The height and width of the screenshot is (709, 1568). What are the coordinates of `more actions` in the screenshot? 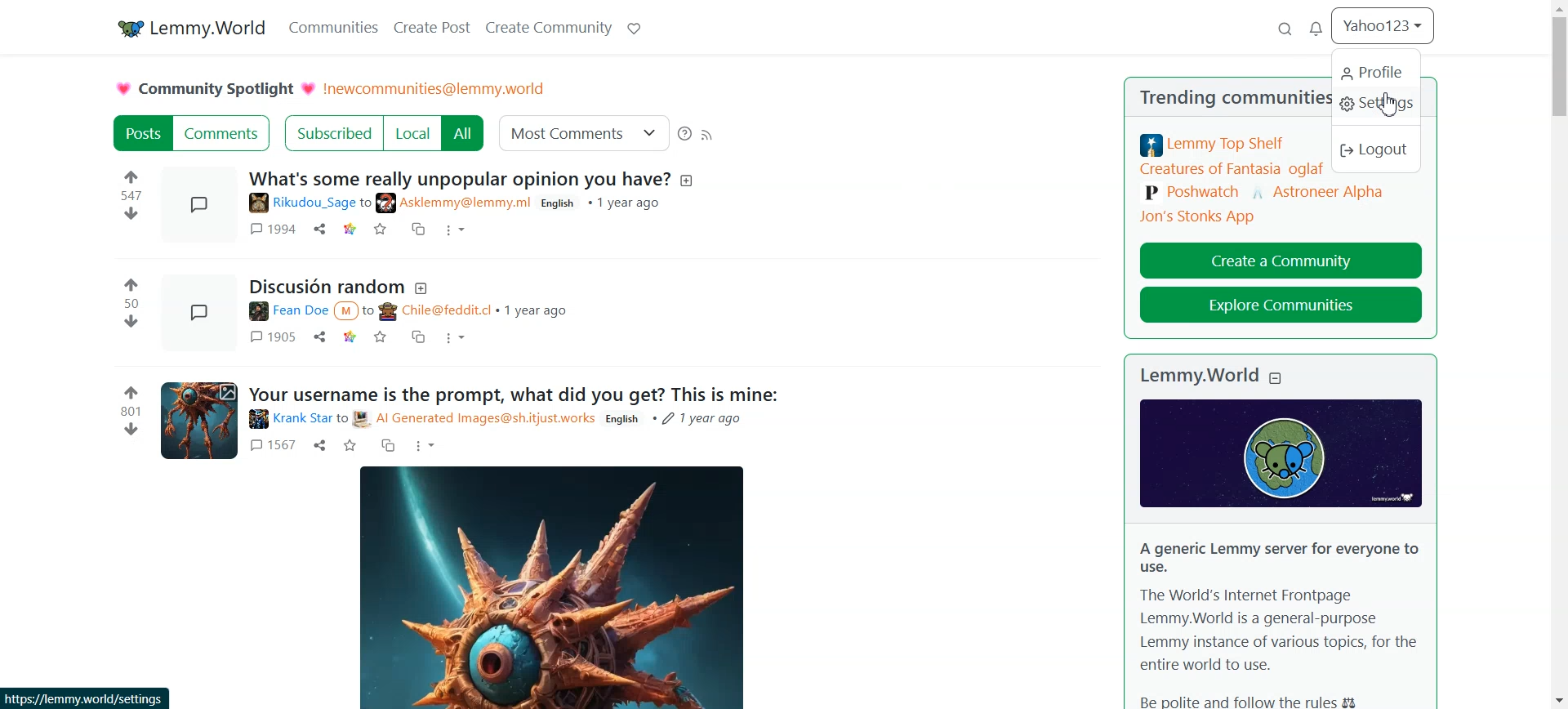 It's located at (426, 446).